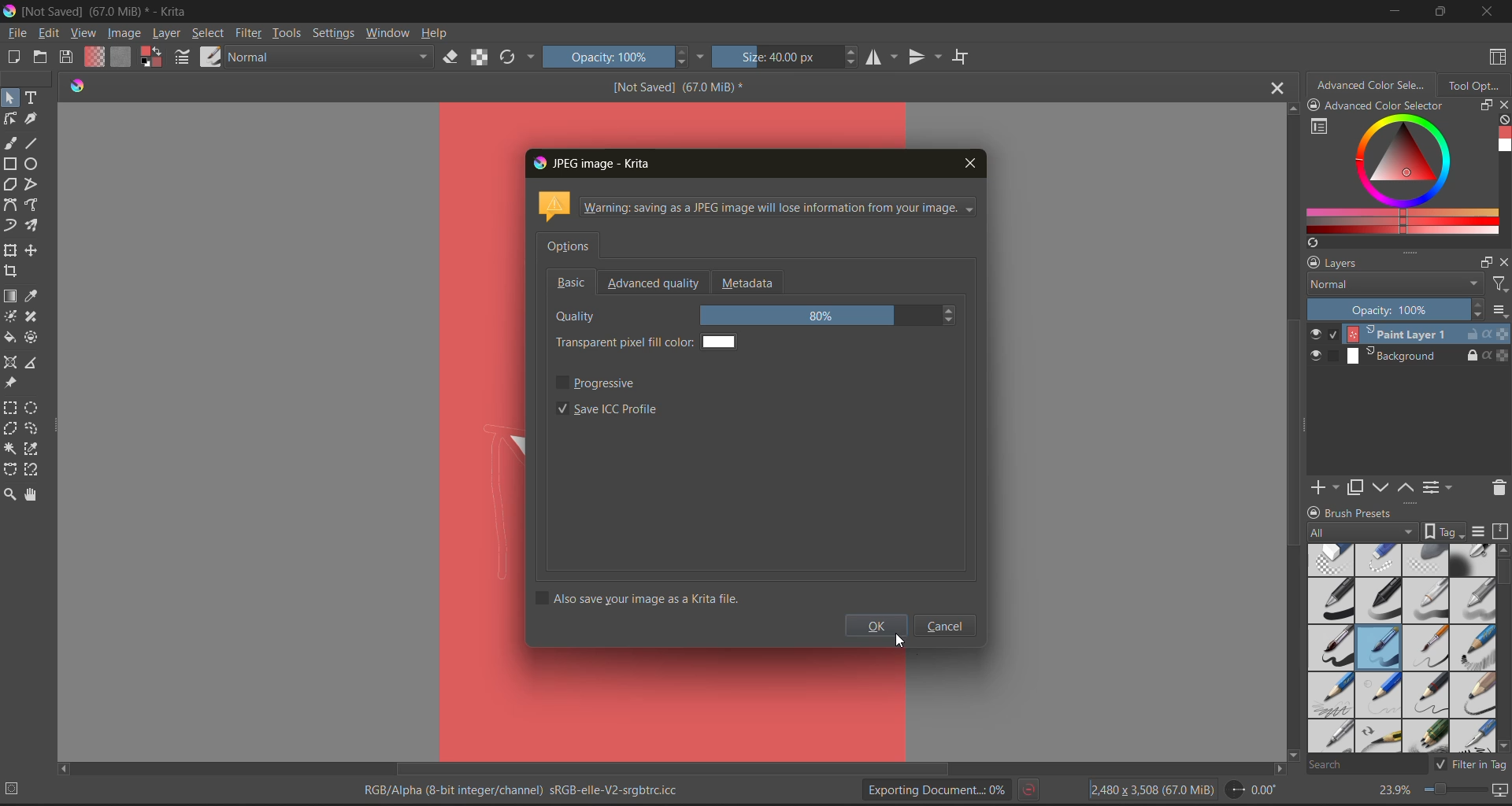  What do you see at coordinates (1403, 649) in the screenshot?
I see `brush presets` at bounding box center [1403, 649].